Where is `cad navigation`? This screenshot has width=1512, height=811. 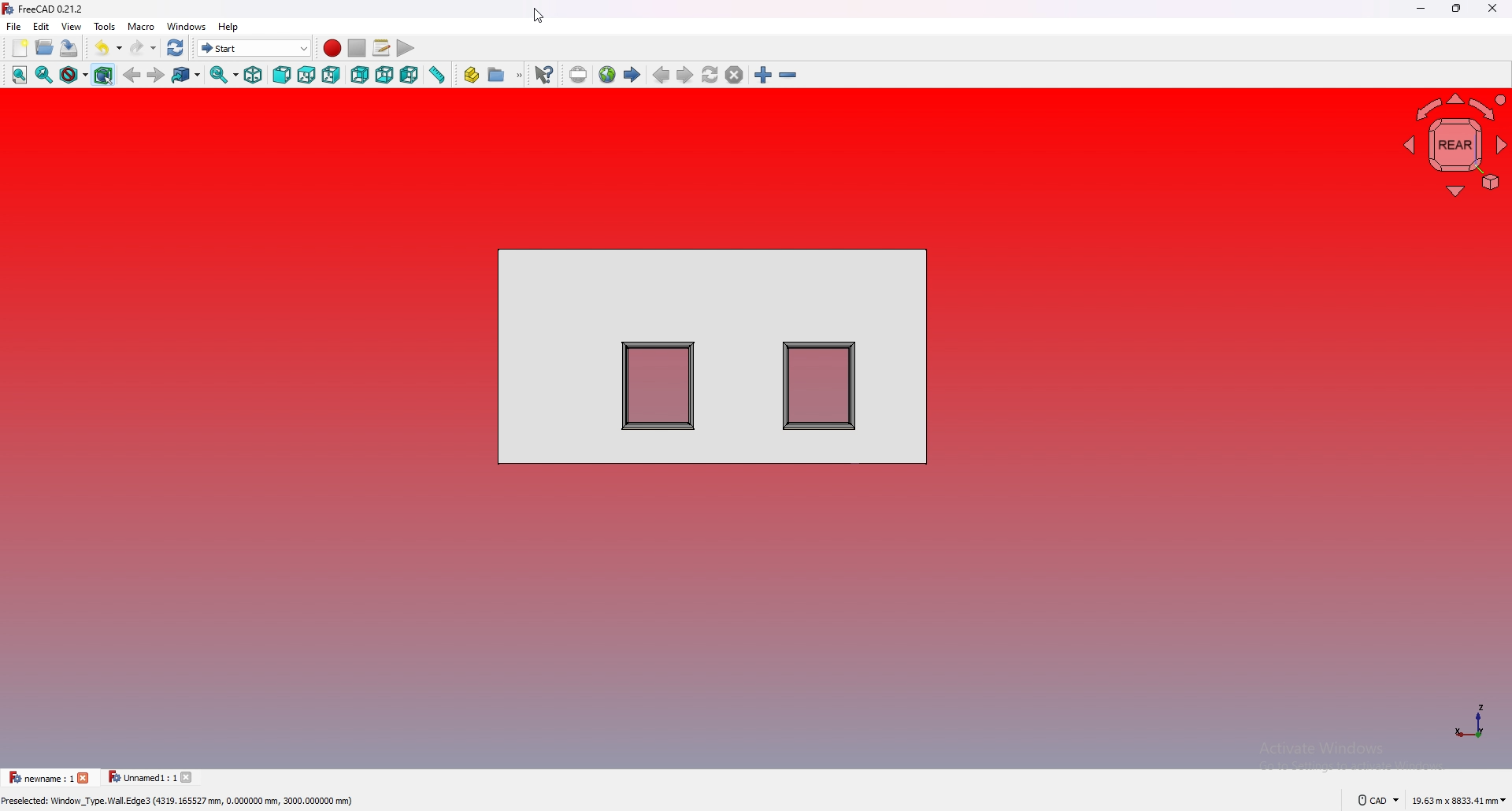
cad navigation is located at coordinates (1377, 801).